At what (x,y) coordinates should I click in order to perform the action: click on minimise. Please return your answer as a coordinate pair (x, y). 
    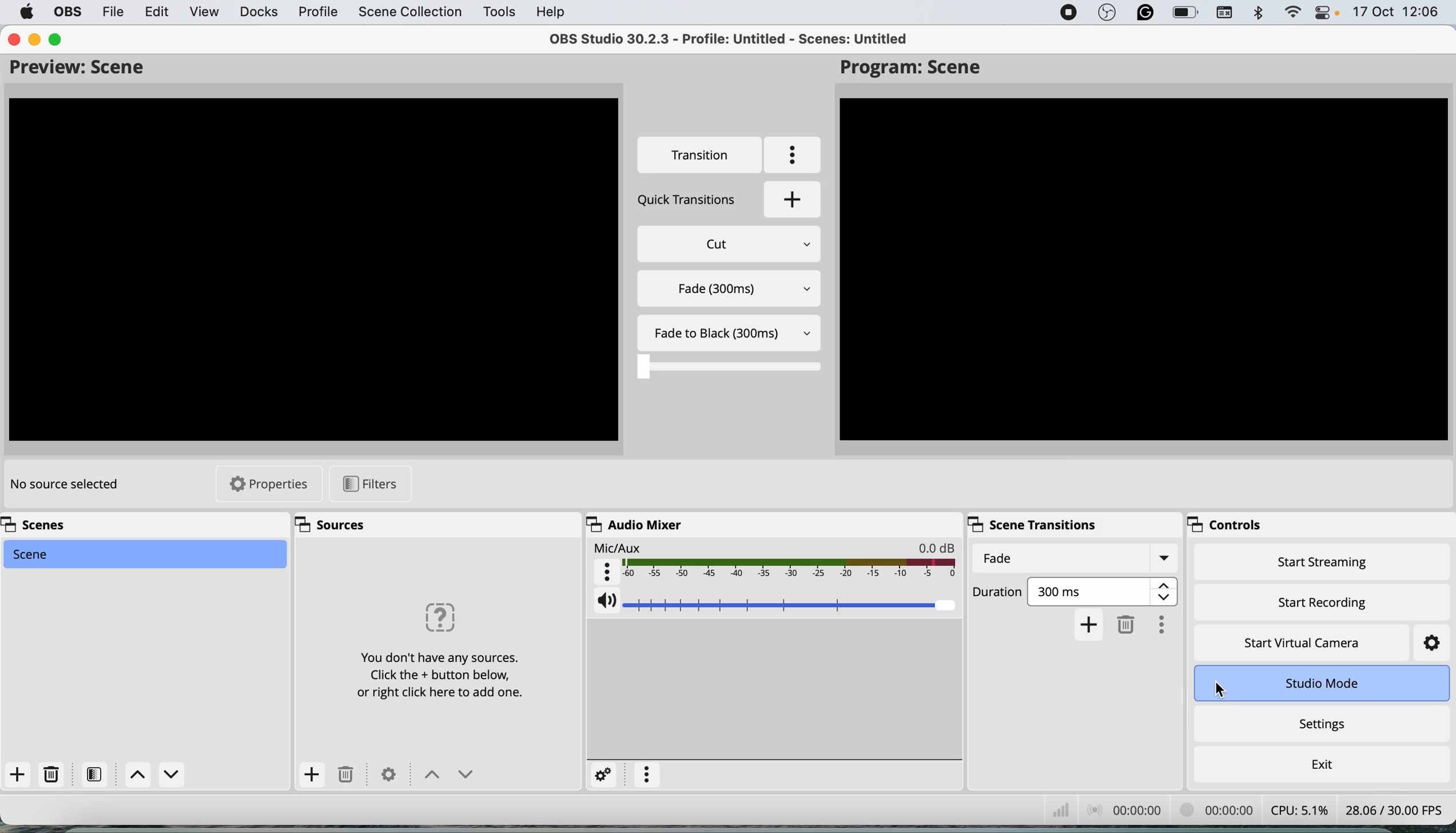
    Looking at the image, I should click on (36, 39).